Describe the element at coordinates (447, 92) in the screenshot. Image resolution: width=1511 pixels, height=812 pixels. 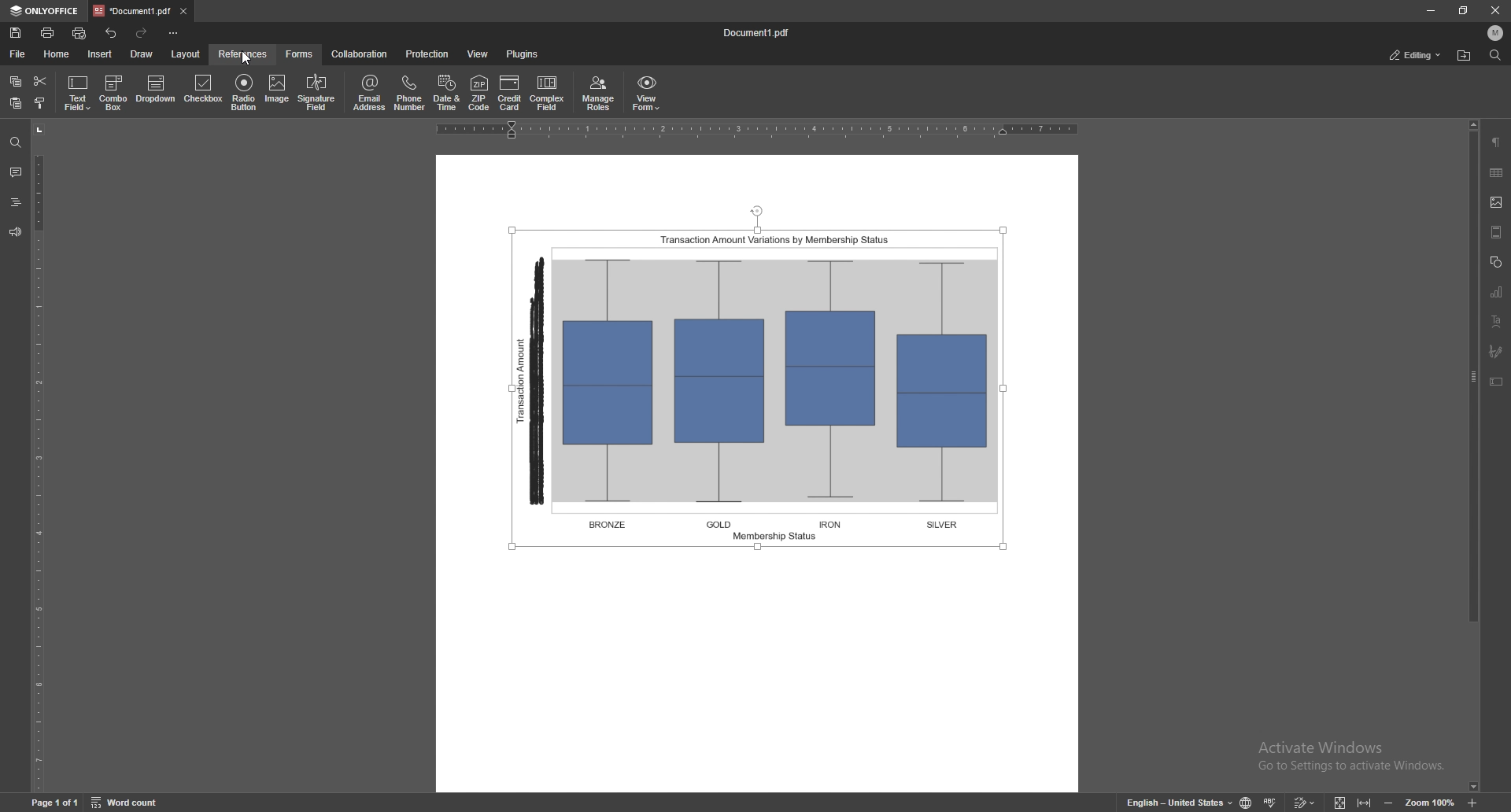
I see `date and time` at that location.